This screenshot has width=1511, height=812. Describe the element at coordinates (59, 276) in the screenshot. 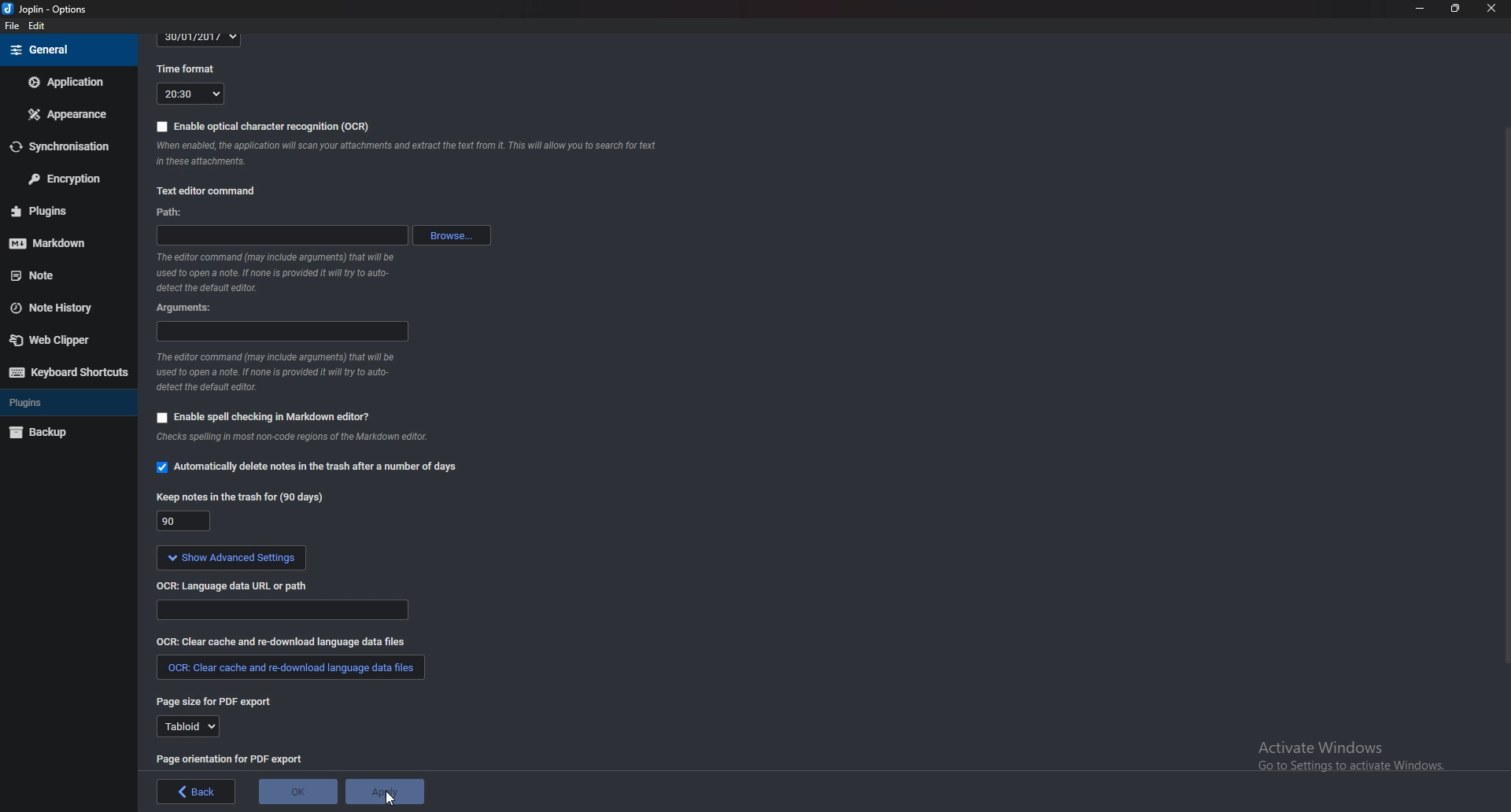

I see `note` at that location.